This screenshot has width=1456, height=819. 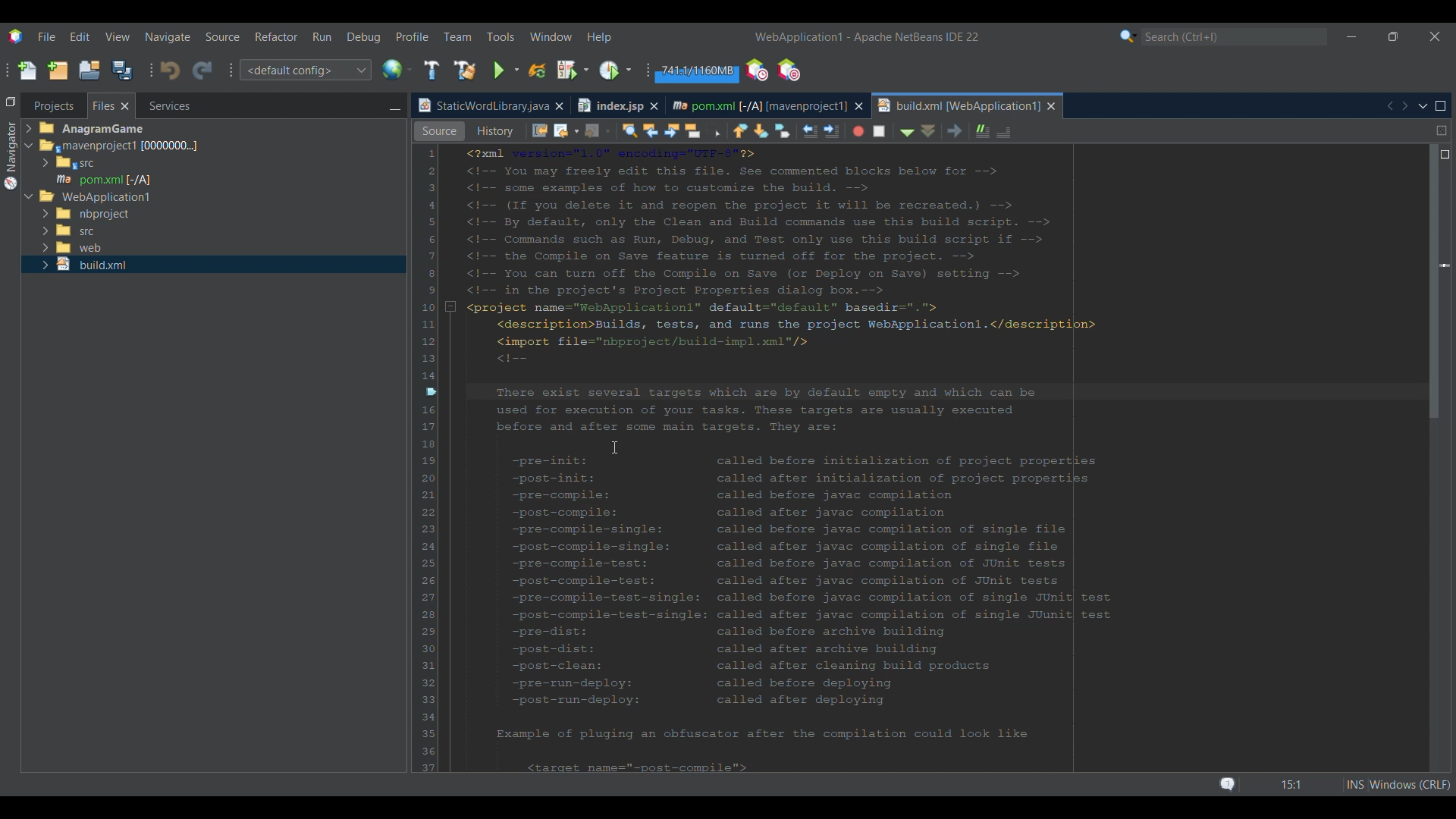 What do you see at coordinates (46, 36) in the screenshot?
I see `File menu` at bounding box center [46, 36].